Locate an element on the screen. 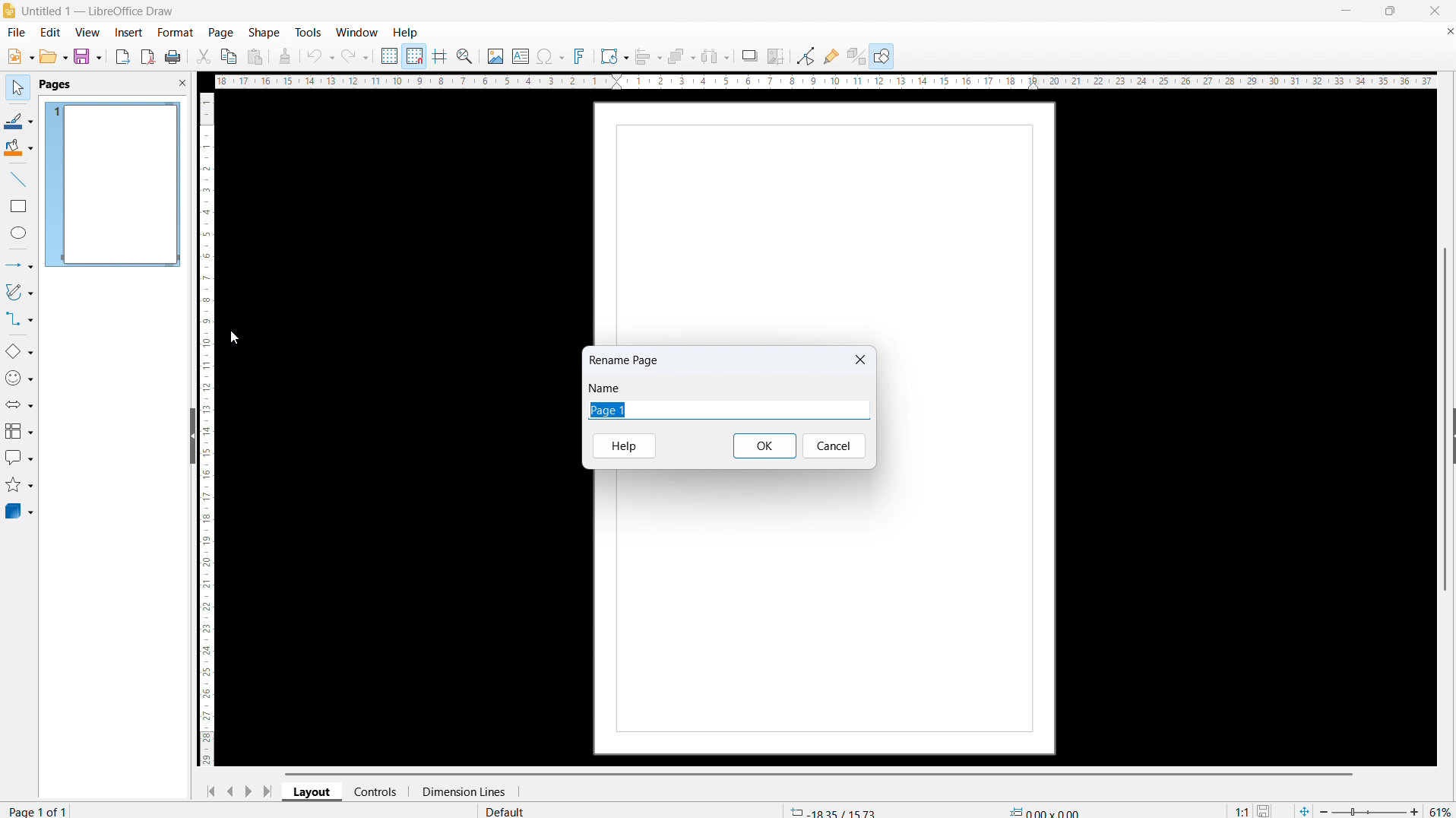  connectors is located at coordinates (19, 320).